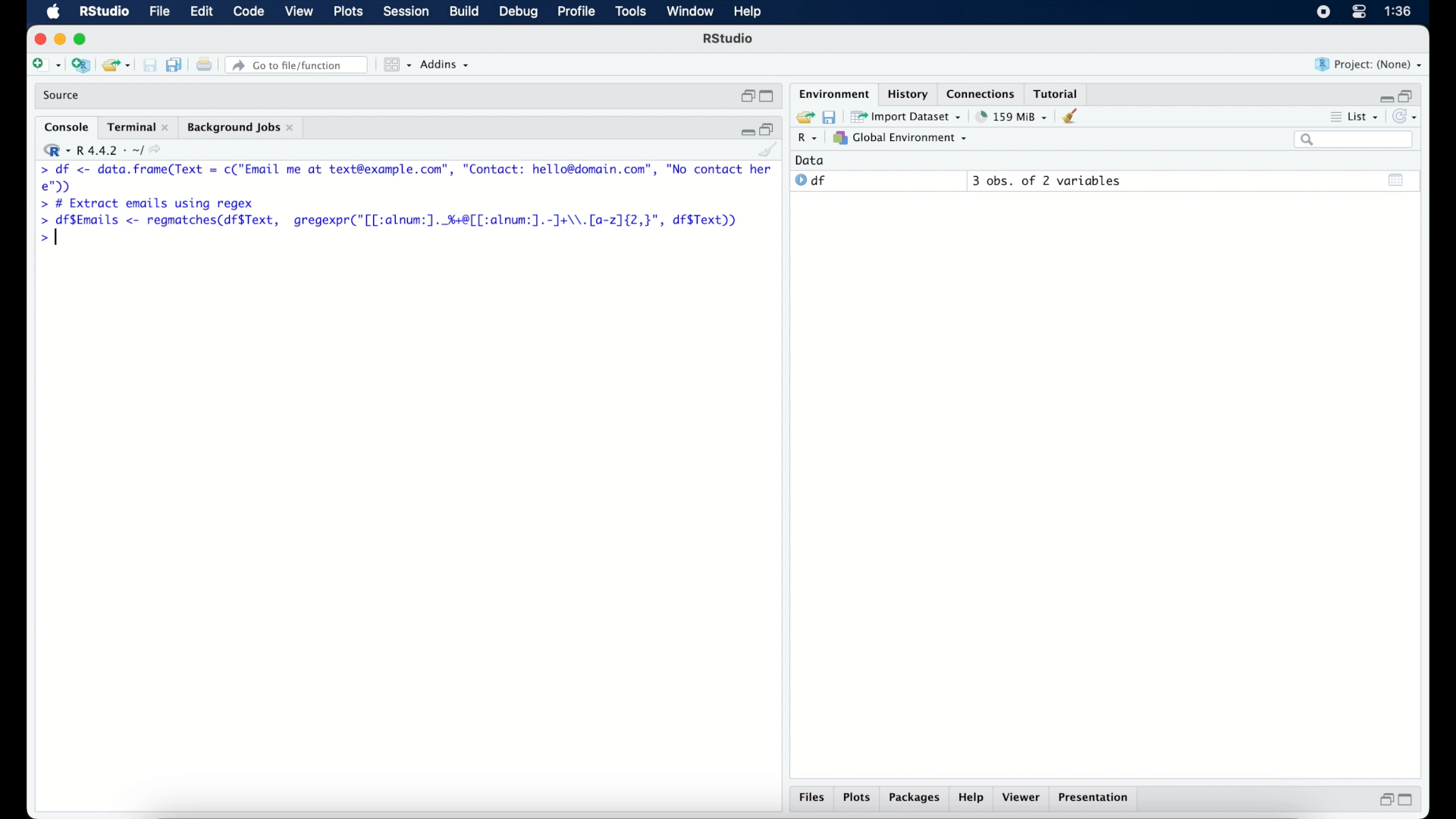 Image resolution: width=1456 pixels, height=819 pixels. What do you see at coordinates (1013, 116) in the screenshot?
I see `158 MB` at bounding box center [1013, 116].